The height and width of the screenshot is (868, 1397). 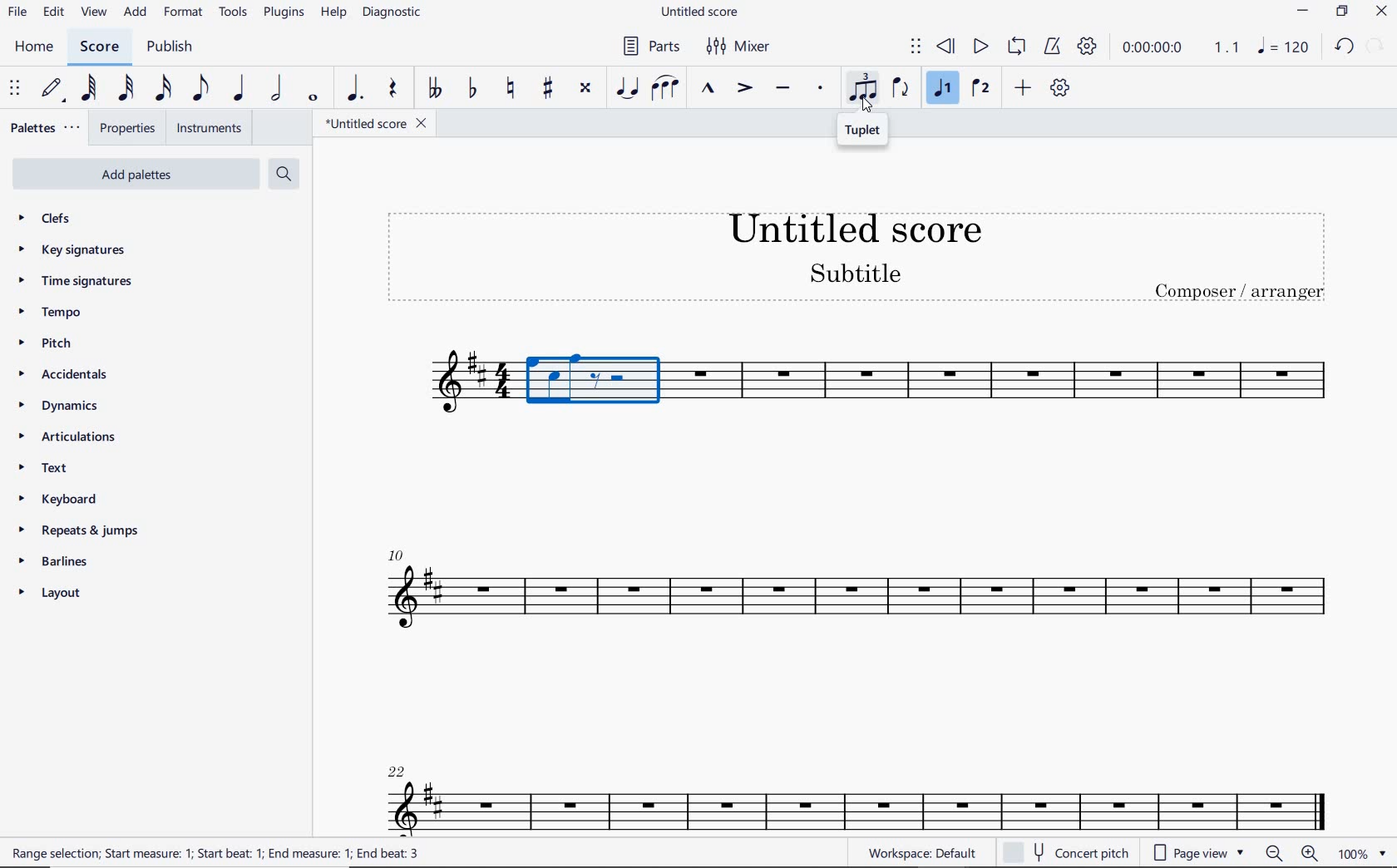 I want to click on NOTE, so click(x=1282, y=47).